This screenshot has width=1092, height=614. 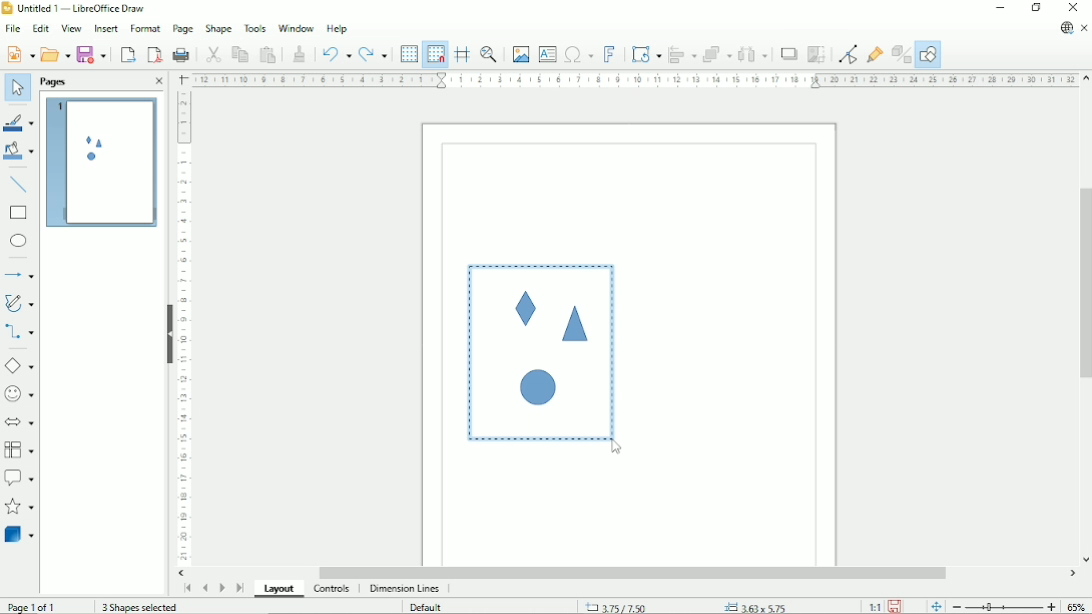 What do you see at coordinates (19, 54) in the screenshot?
I see `New` at bounding box center [19, 54].